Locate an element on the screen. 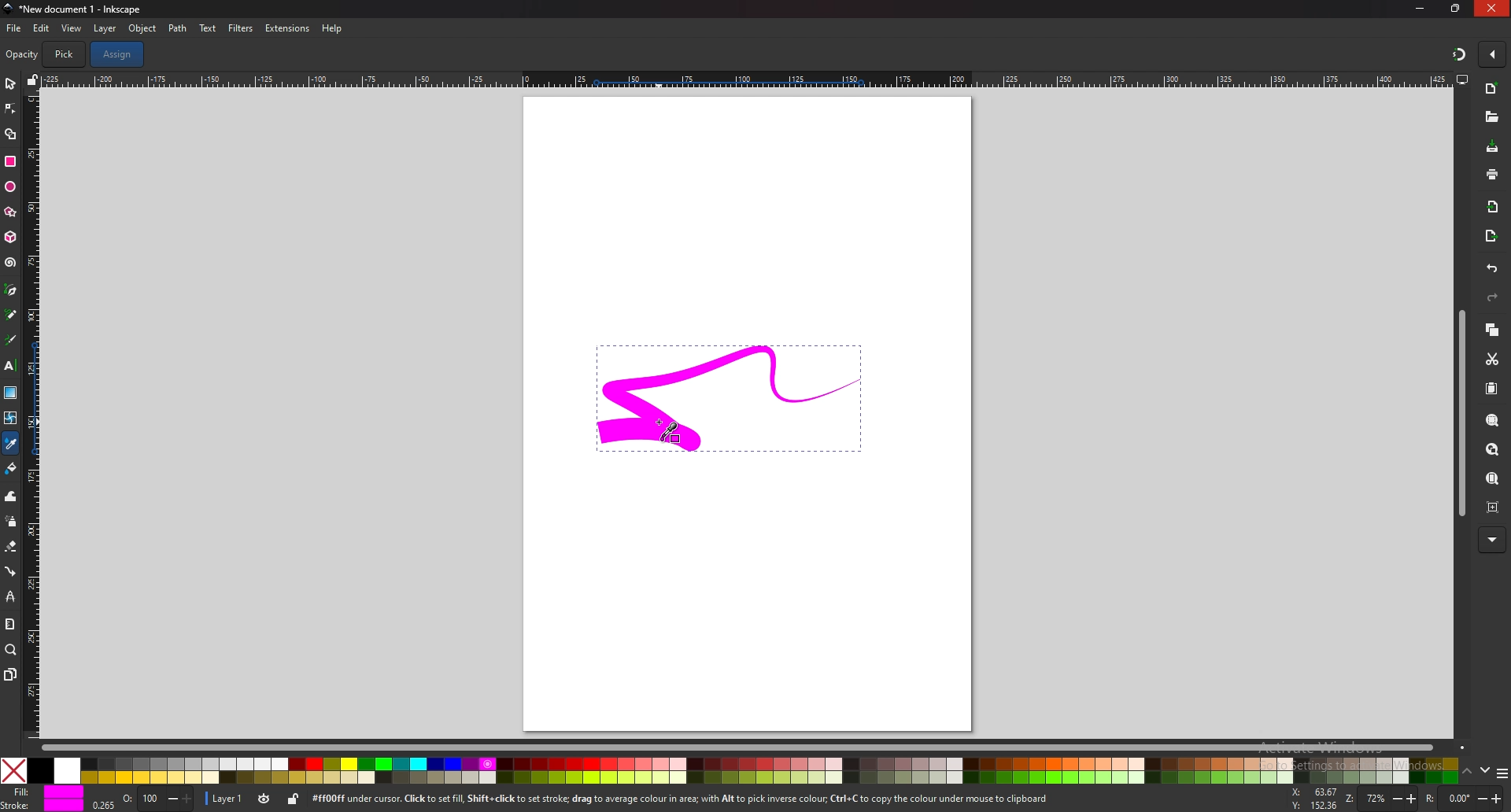  open is located at coordinates (1494, 120).